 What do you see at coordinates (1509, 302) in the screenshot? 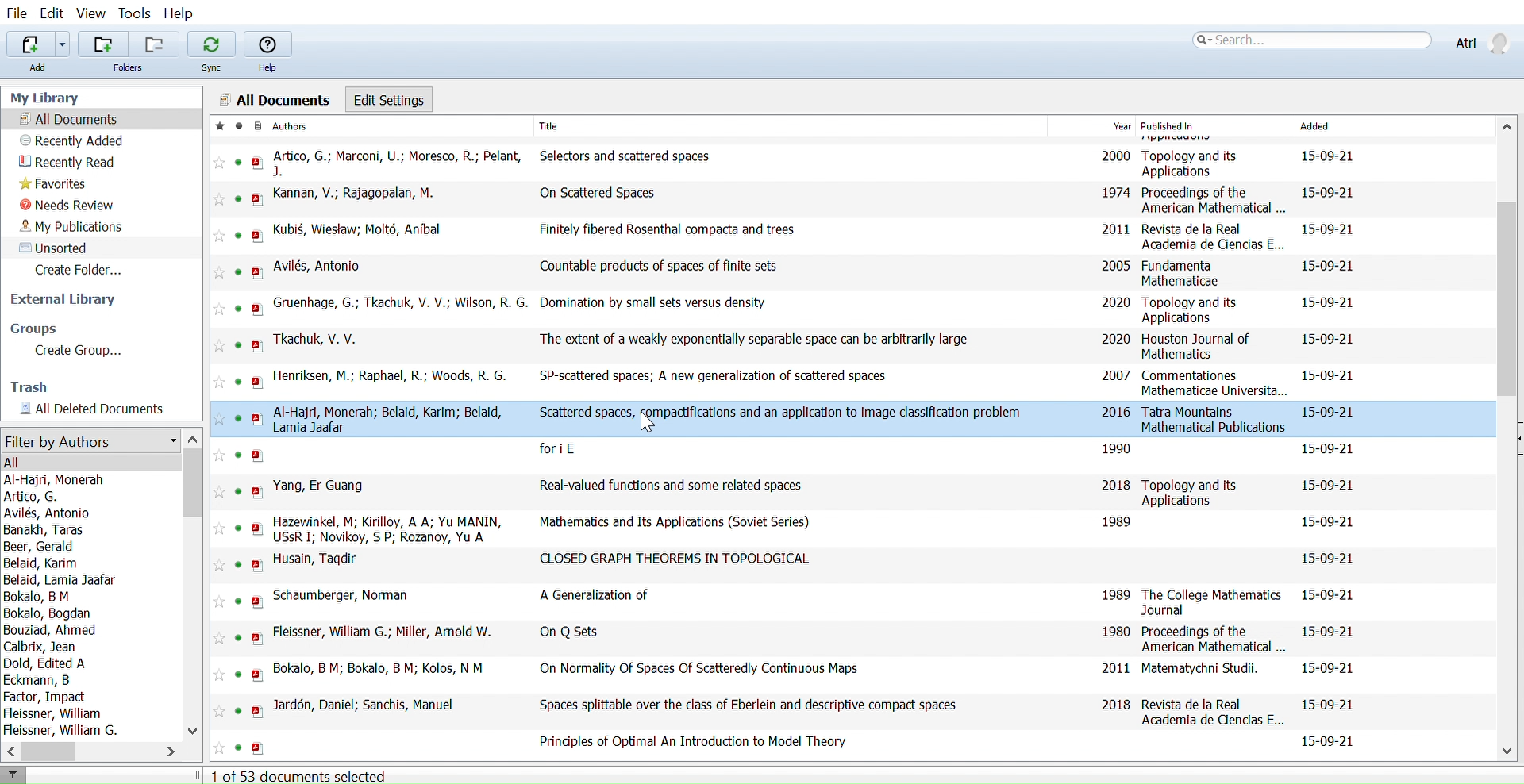
I see `Vrtical scrollbar for all files` at bounding box center [1509, 302].